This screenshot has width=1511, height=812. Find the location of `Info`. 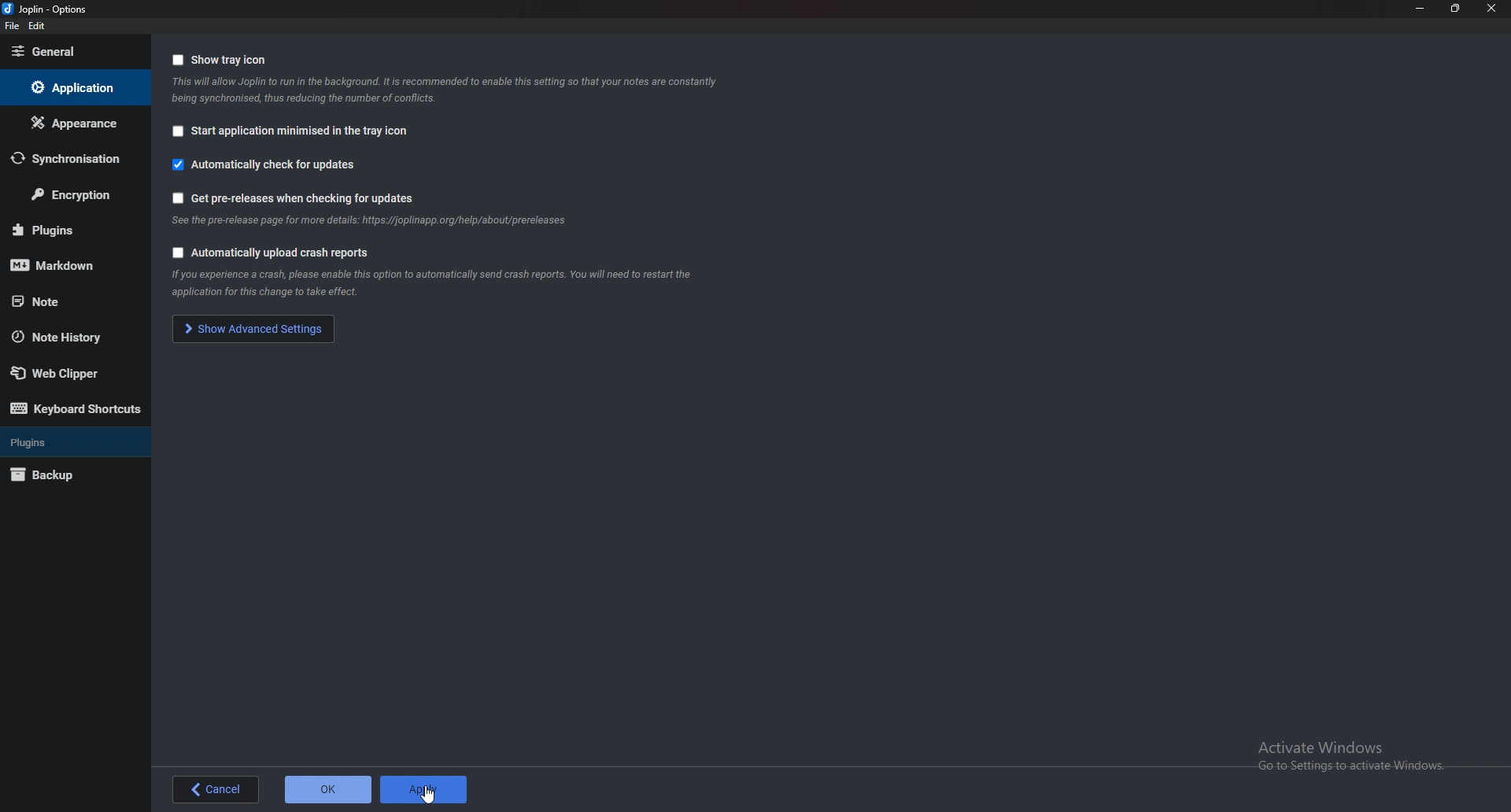

Info is located at coordinates (459, 284).